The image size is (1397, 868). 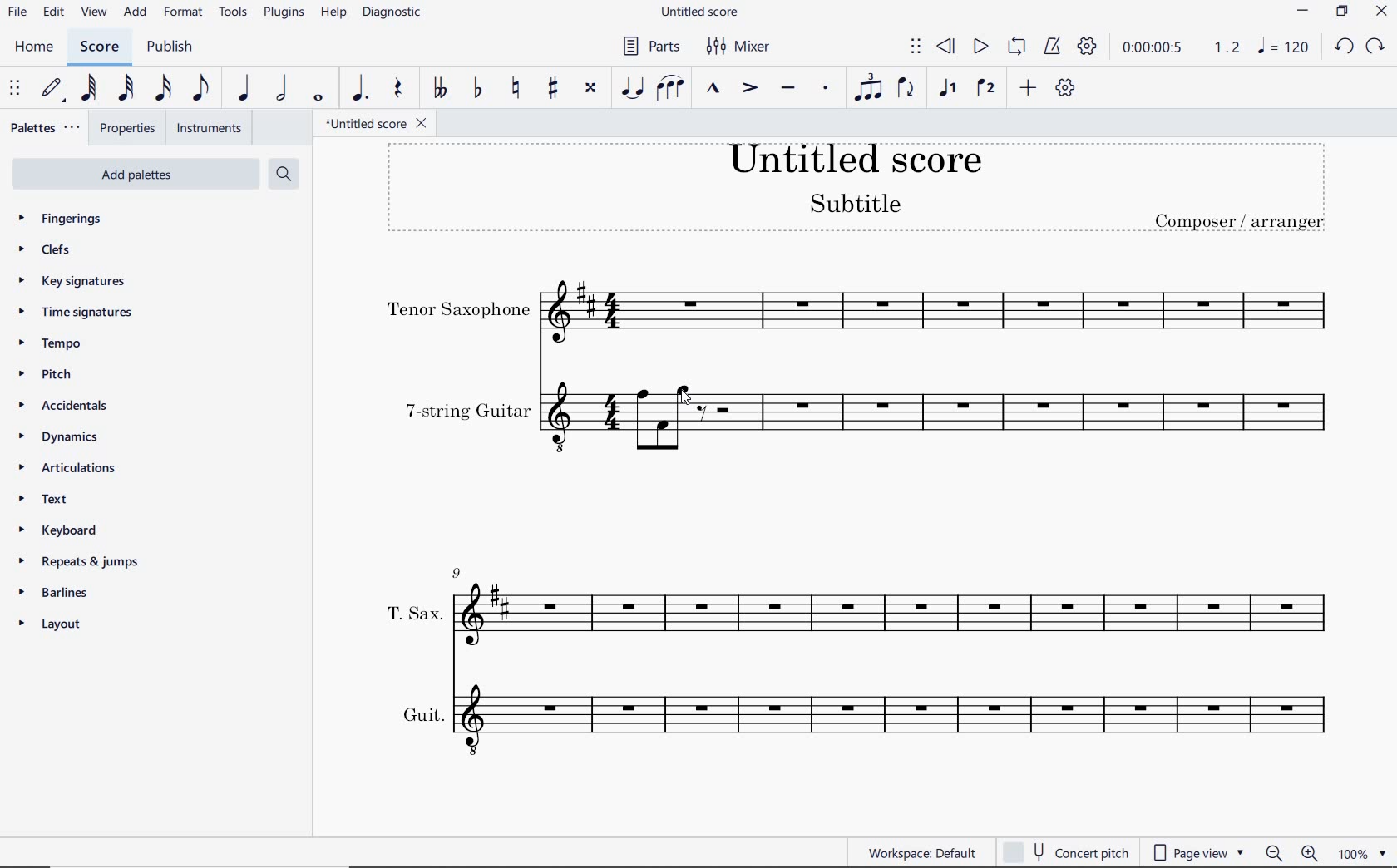 What do you see at coordinates (1064, 87) in the screenshot?
I see `CUSTOMIZE TOOLBAR` at bounding box center [1064, 87].